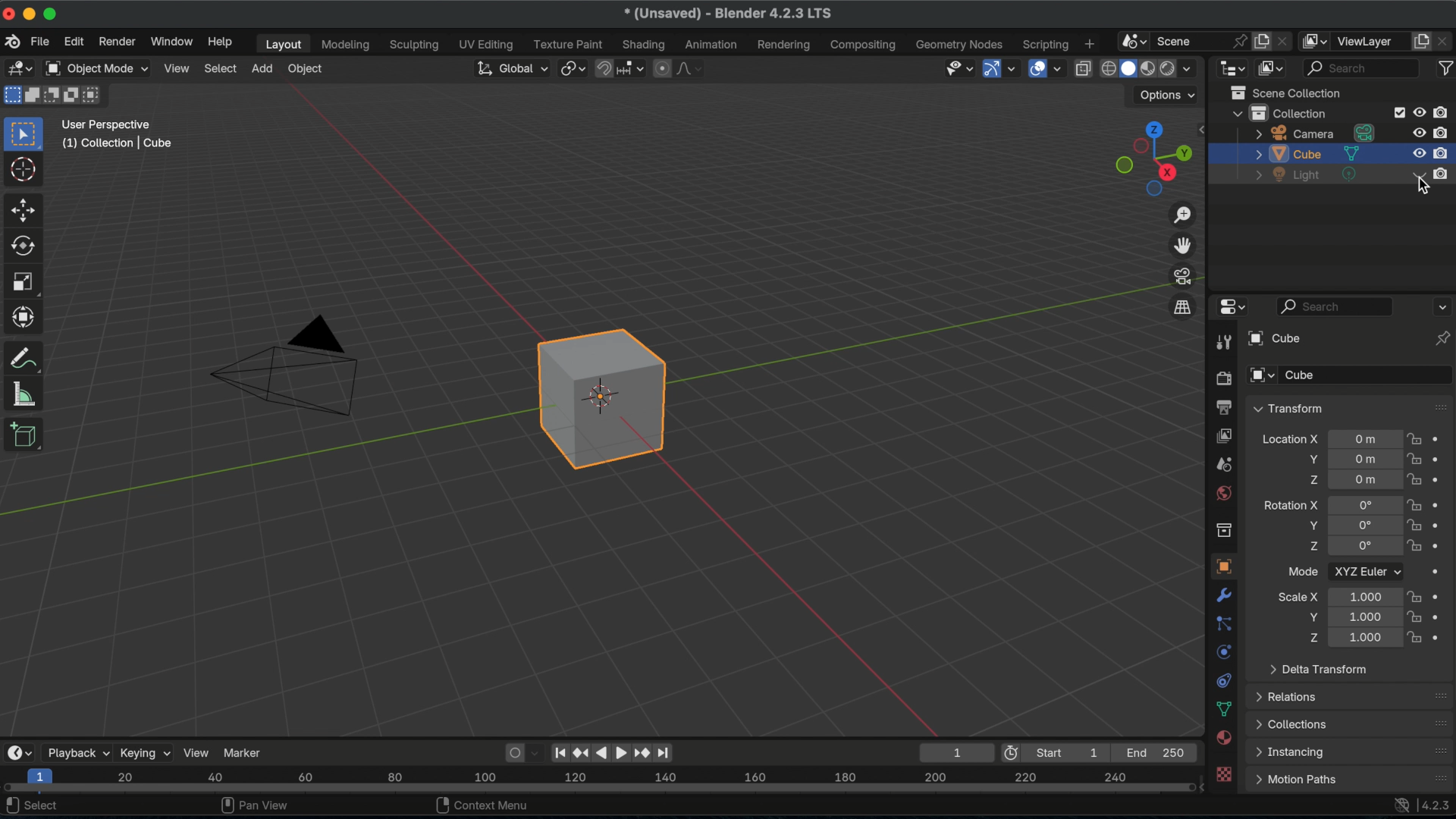 This screenshot has height=819, width=1456. Describe the element at coordinates (1314, 133) in the screenshot. I see `camera ` at that location.